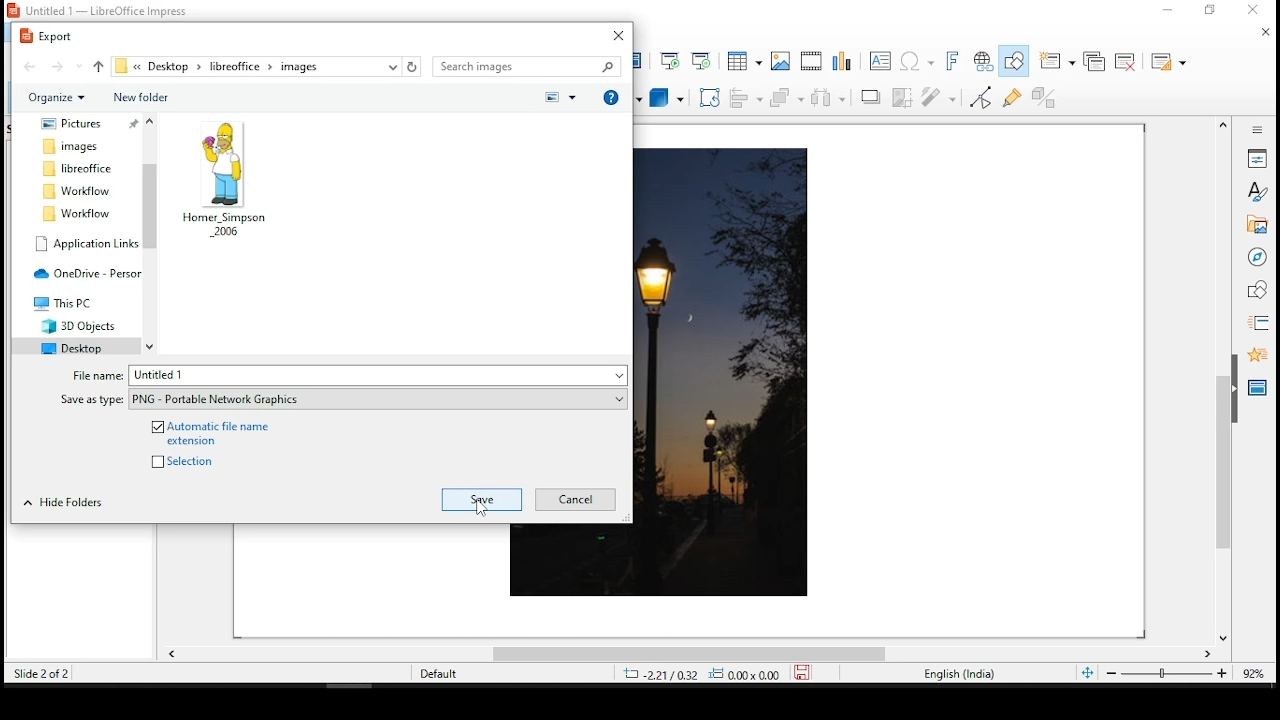 This screenshot has height=720, width=1280. What do you see at coordinates (743, 59) in the screenshot?
I see `tables` at bounding box center [743, 59].